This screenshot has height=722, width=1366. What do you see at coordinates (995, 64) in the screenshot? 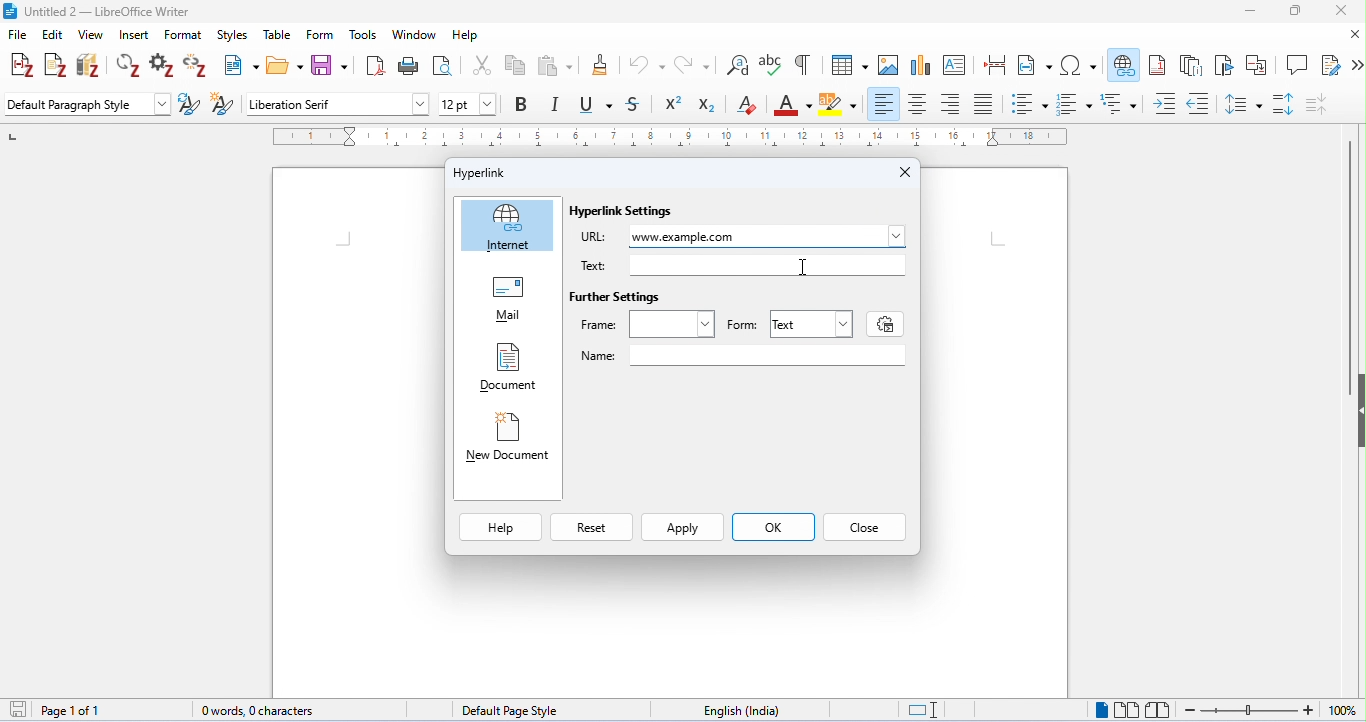
I see `insert page break` at bounding box center [995, 64].